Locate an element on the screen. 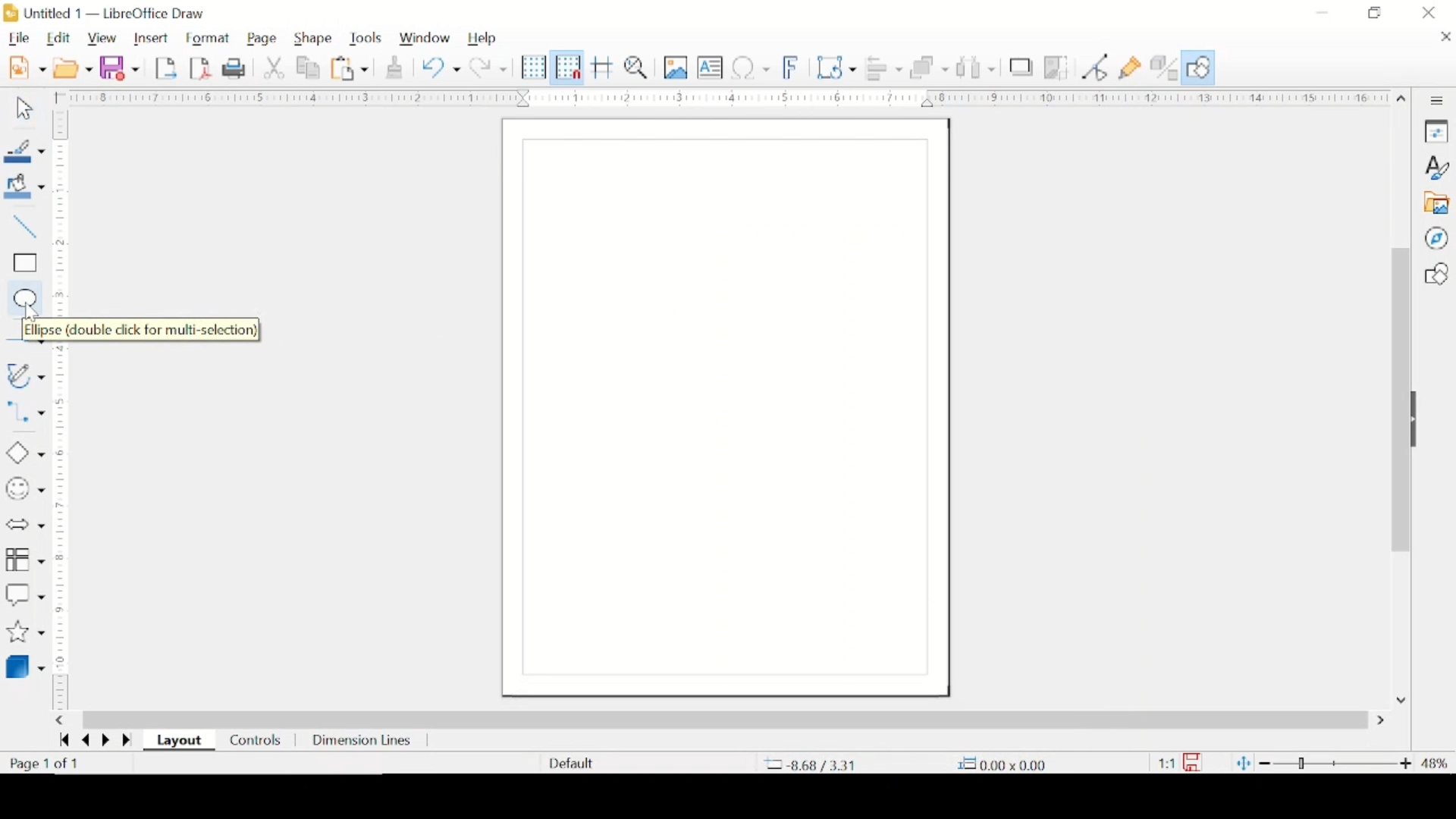 Image resolution: width=1456 pixels, height=819 pixels. stars and banners is located at coordinates (24, 633).